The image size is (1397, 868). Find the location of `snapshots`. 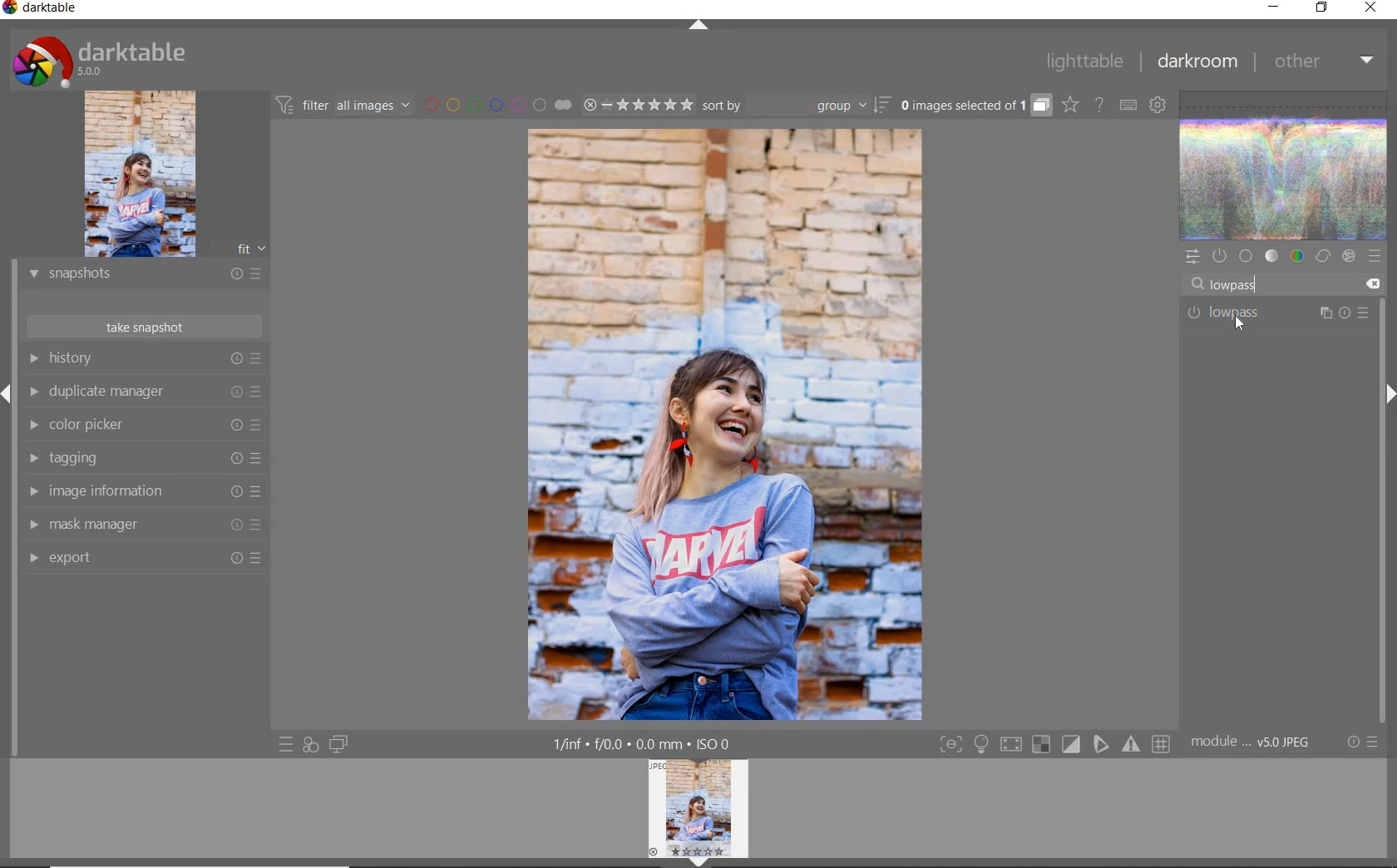

snapshots is located at coordinates (144, 277).